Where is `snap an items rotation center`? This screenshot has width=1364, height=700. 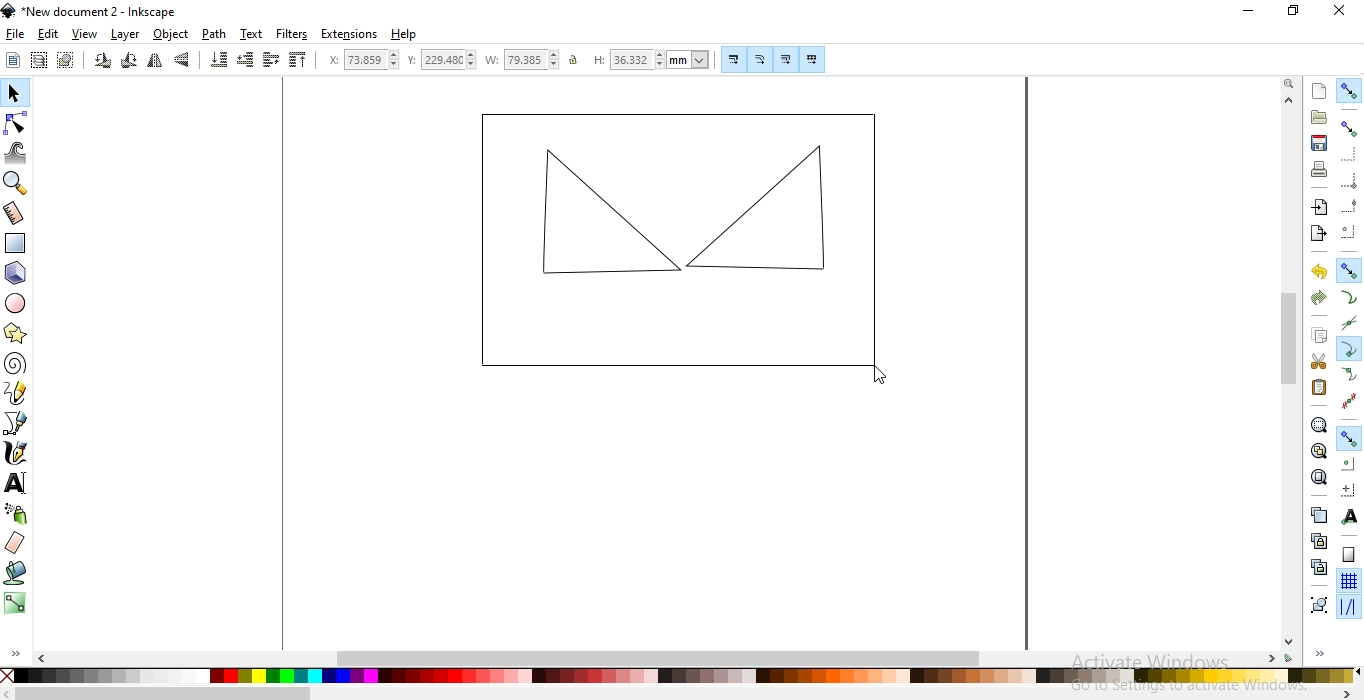
snap an items rotation center is located at coordinates (1348, 489).